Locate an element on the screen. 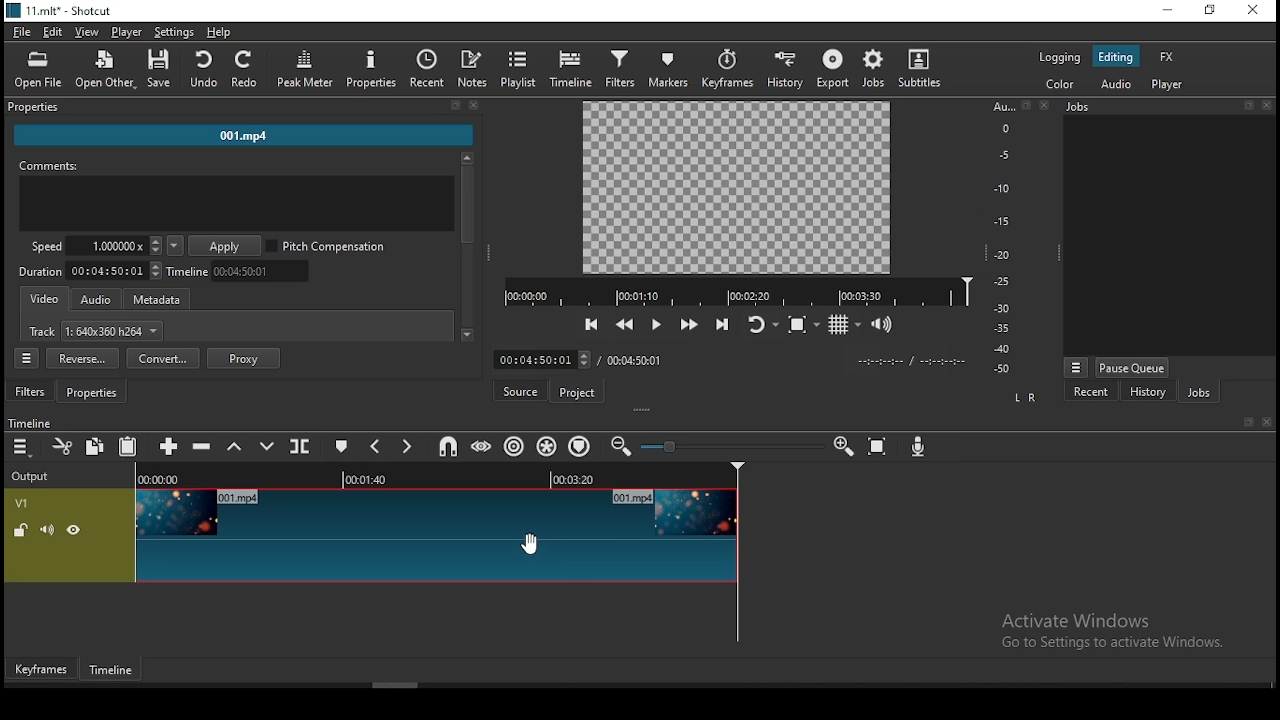 This screenshot has width=1280, height=720. timeline is located at coordinates (243, 272).